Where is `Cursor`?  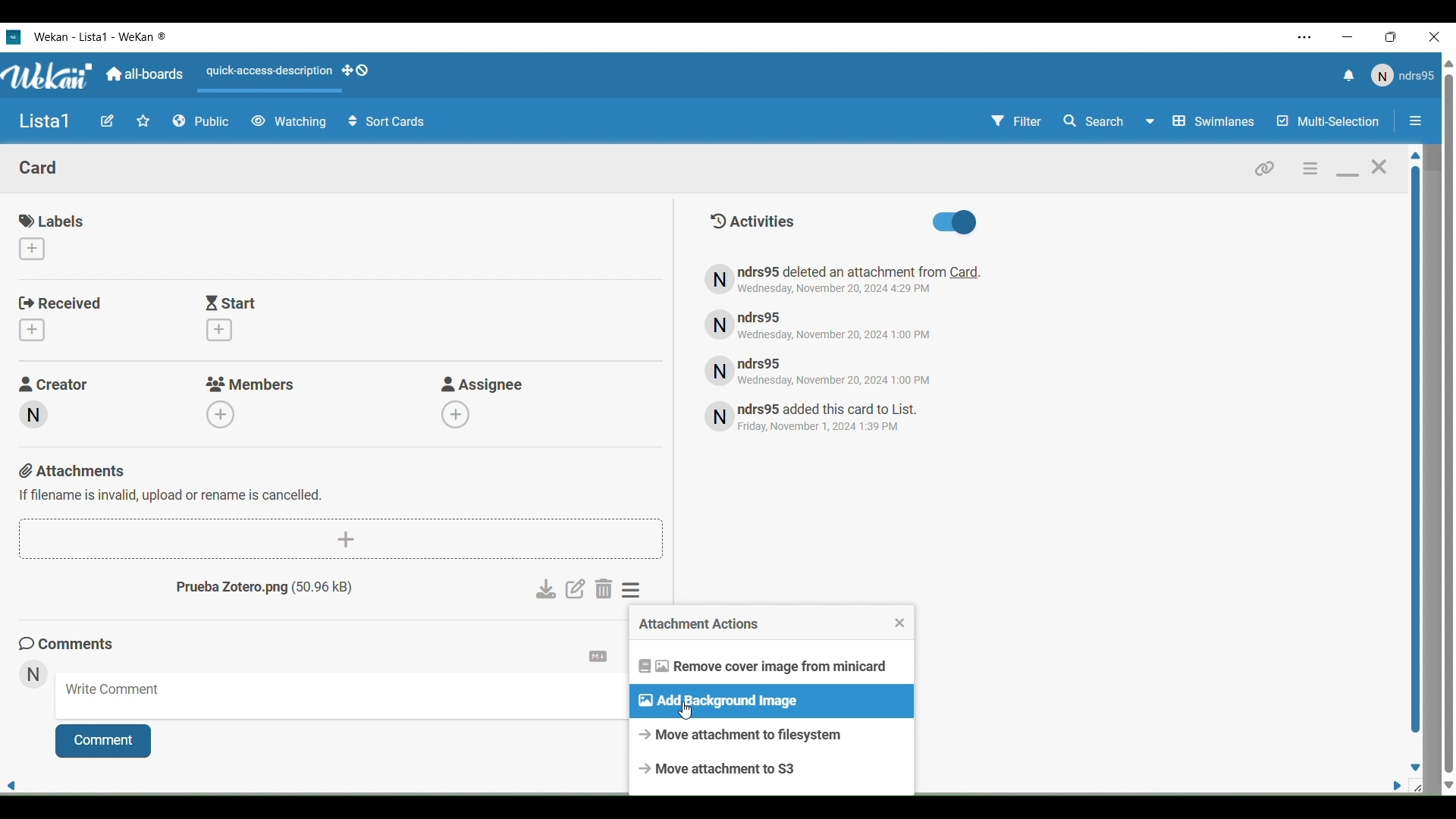
Cursor is located at coordinates (686, 711).